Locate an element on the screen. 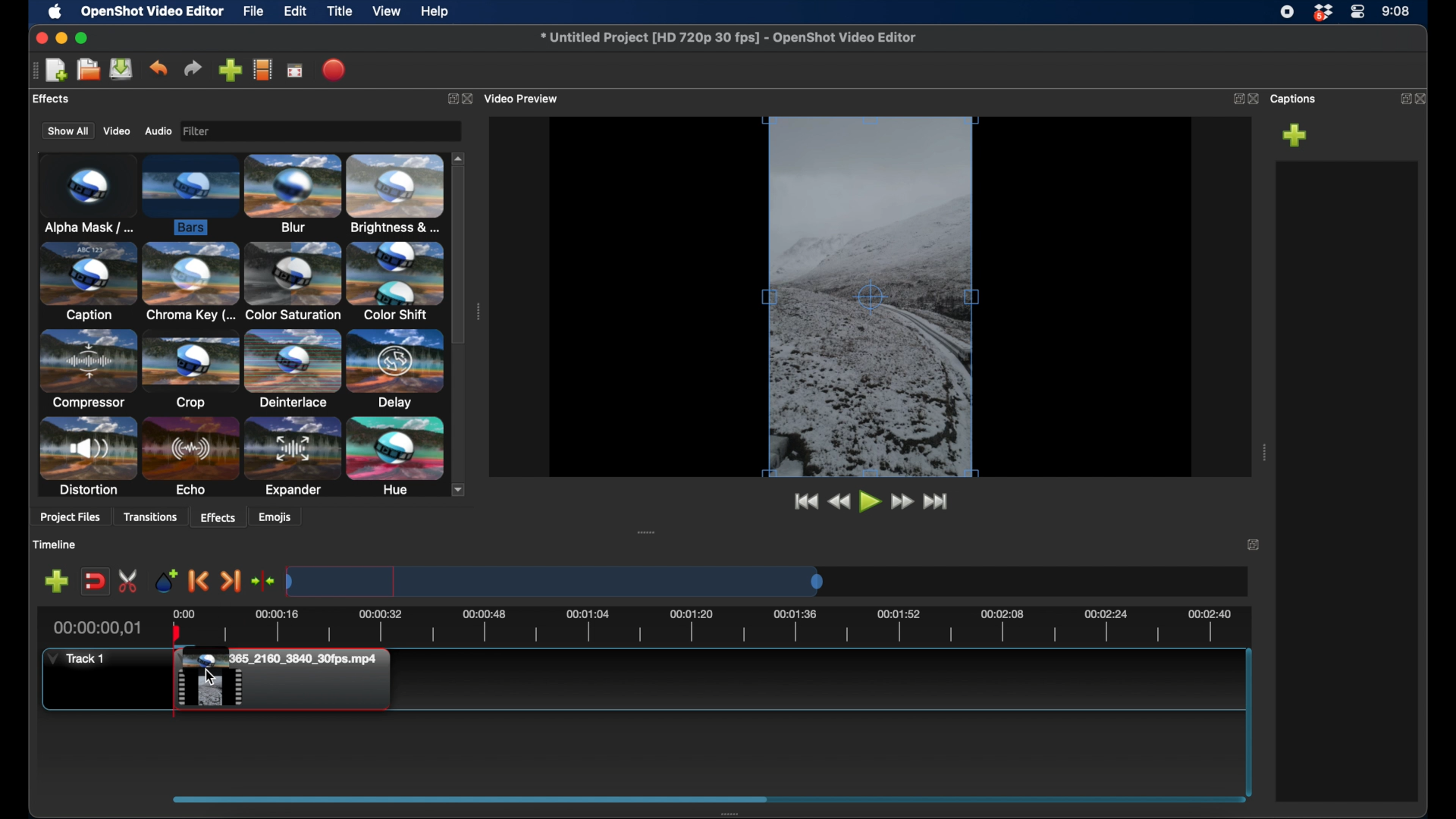 The width and height of the screenshot is (1456, 819). undo is located at coordinates (159, 67).